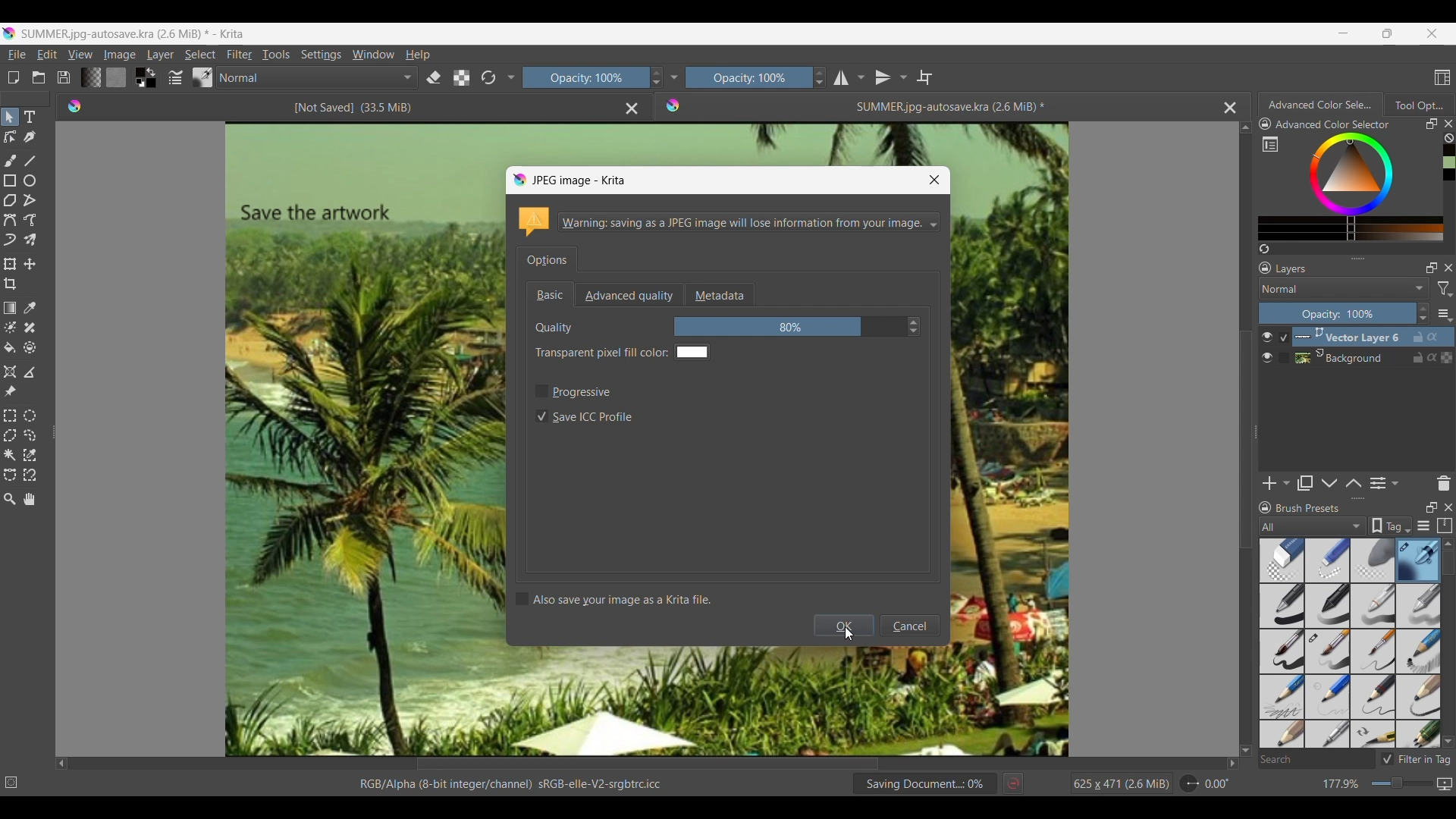 The width and height of the screenshot is (1456, 819). What do you see at coordinates (1448, 138) in the screenshot?
I see `Clear all color history` at bounding box center [1448, 138].